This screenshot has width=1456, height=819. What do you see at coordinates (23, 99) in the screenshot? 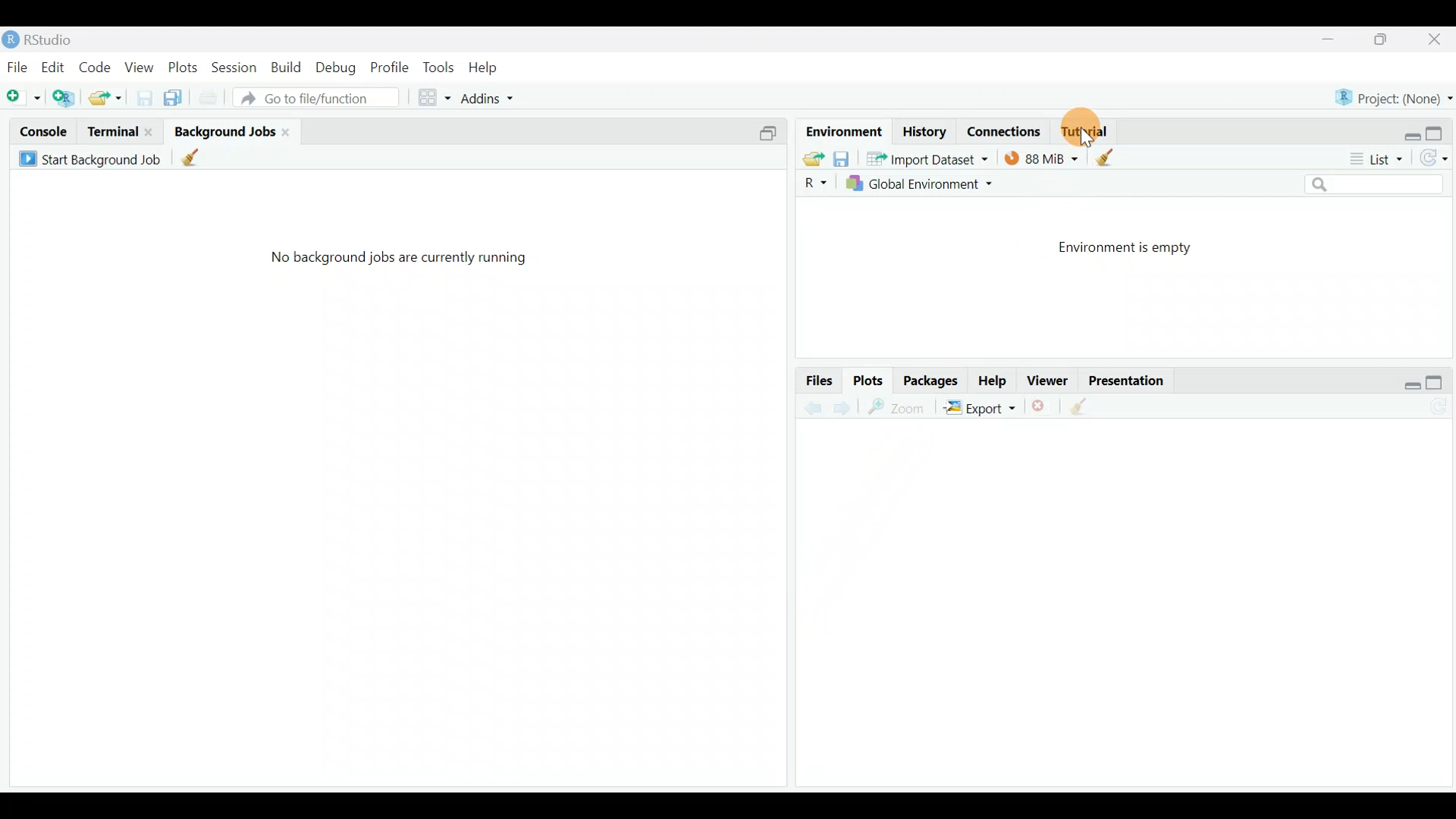
I see `New file` at bounding box center [23, 99].